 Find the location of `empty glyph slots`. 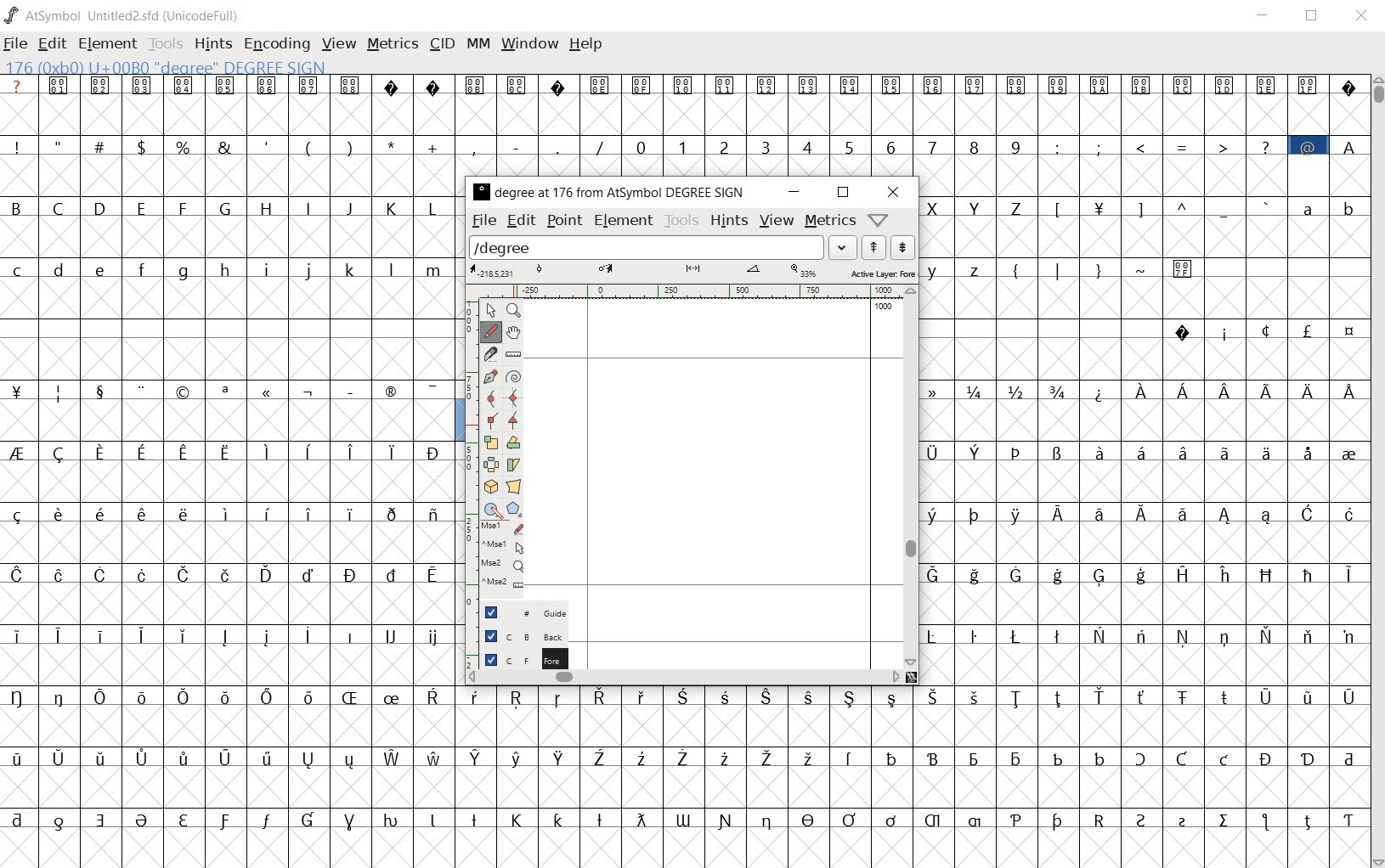

empty glyph slots is located at coordinates (227, 302).